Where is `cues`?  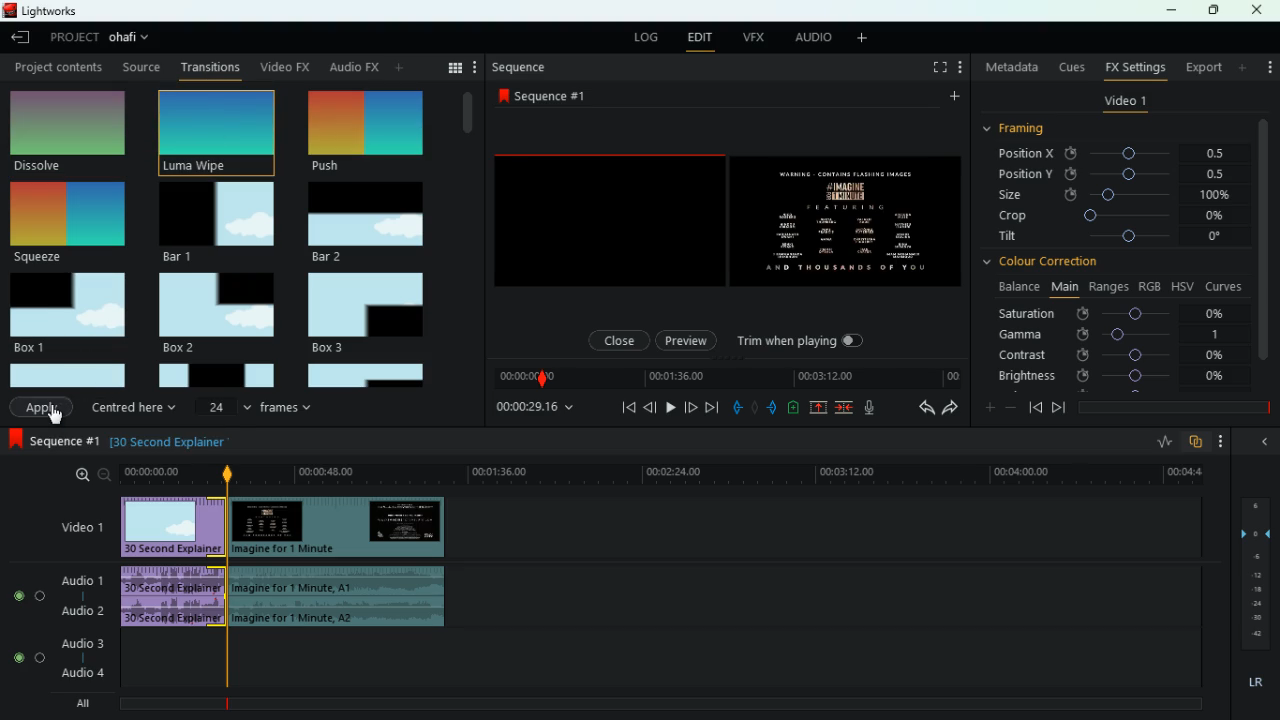 cues is located at coordinates (1073, 67).